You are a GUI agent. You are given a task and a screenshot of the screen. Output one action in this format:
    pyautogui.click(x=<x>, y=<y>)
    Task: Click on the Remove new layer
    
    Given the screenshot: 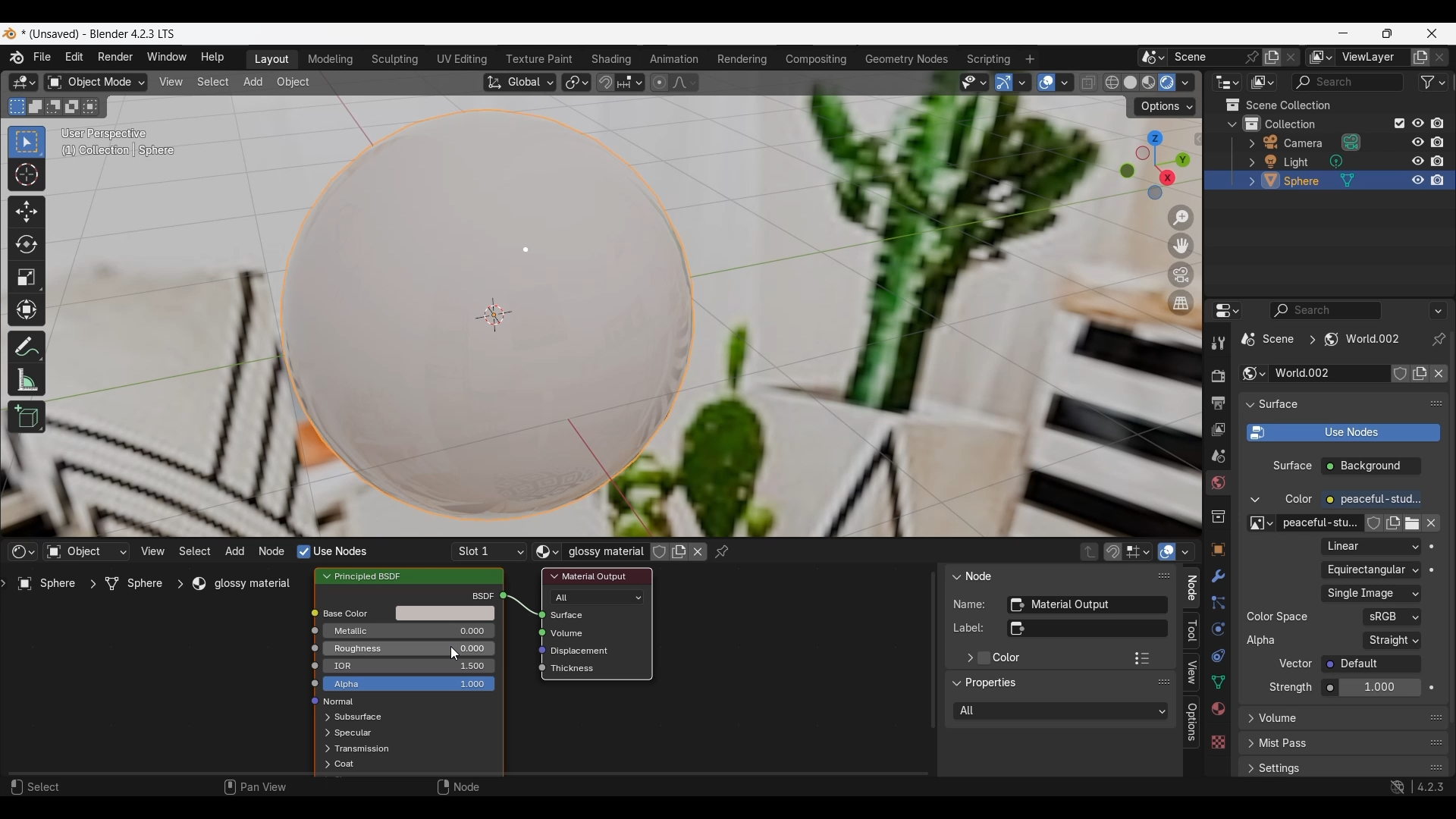 What is the action you would take?
    pyautogui.click(x=1440, y=58)
    